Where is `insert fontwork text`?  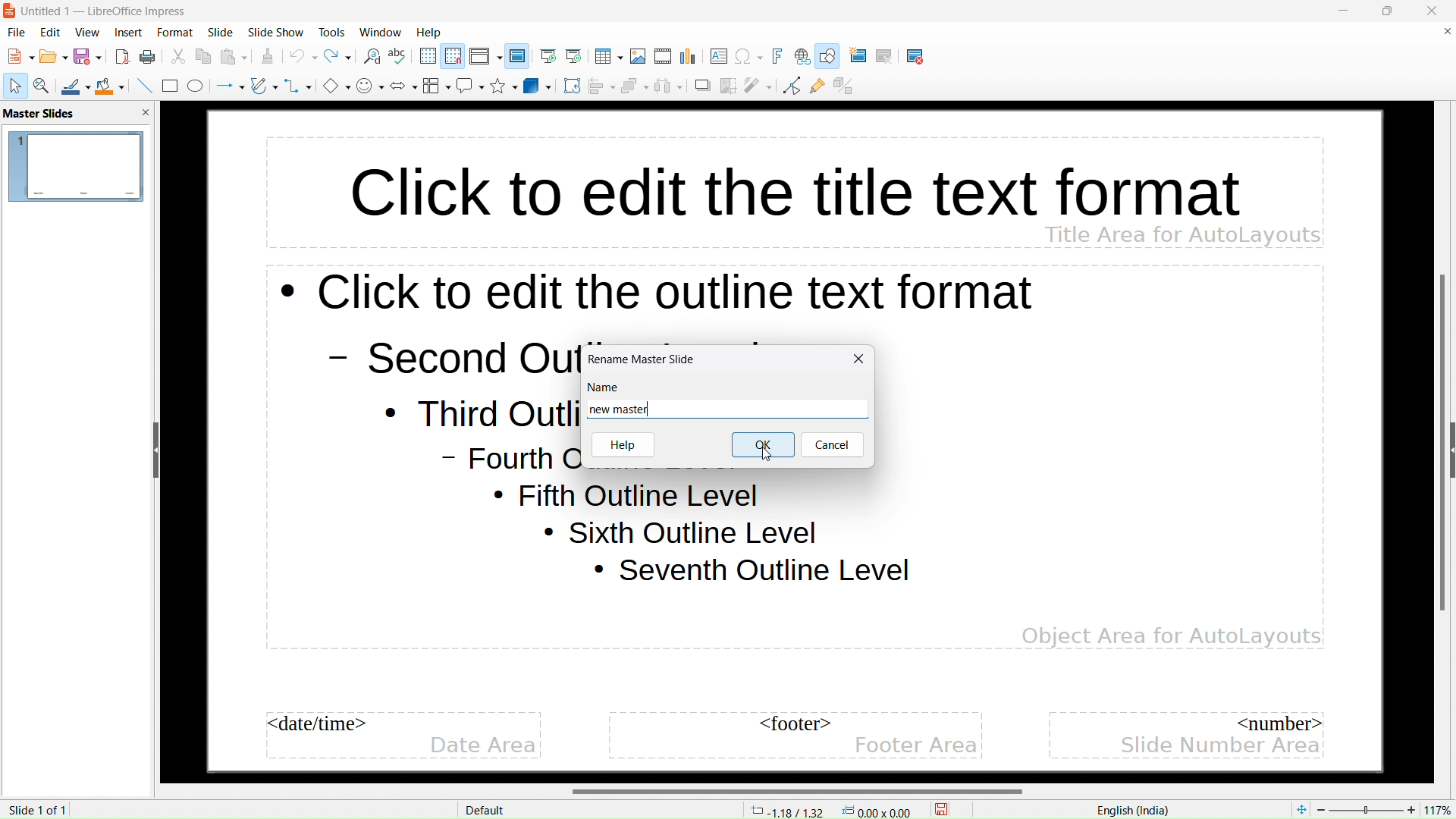 insert fontwork text is located at coordinates (777, 56).